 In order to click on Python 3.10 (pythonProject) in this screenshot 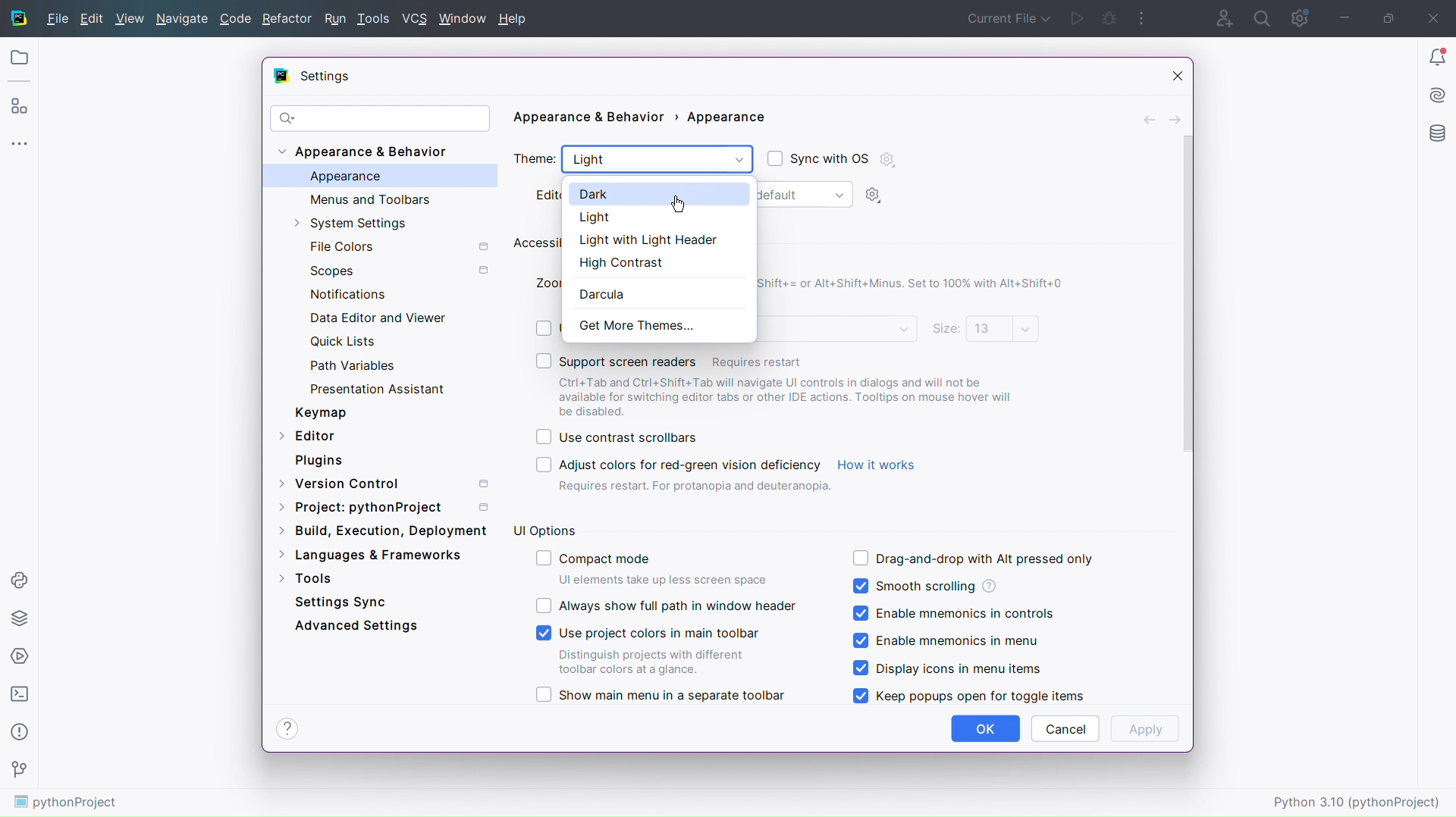, I will do `click(1359, 800)`.